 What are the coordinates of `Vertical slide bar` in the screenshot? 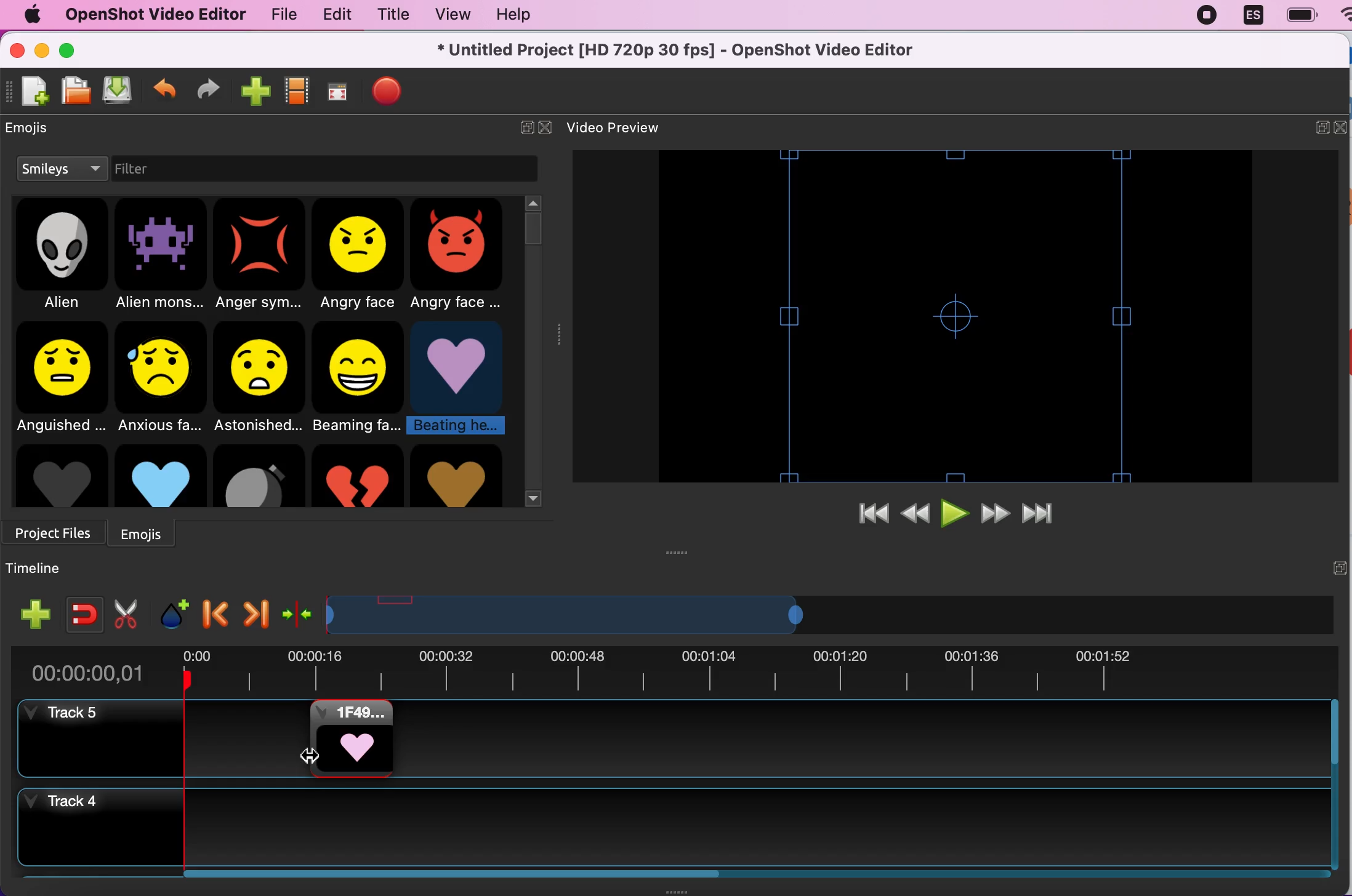 It's located at (1334, 784).